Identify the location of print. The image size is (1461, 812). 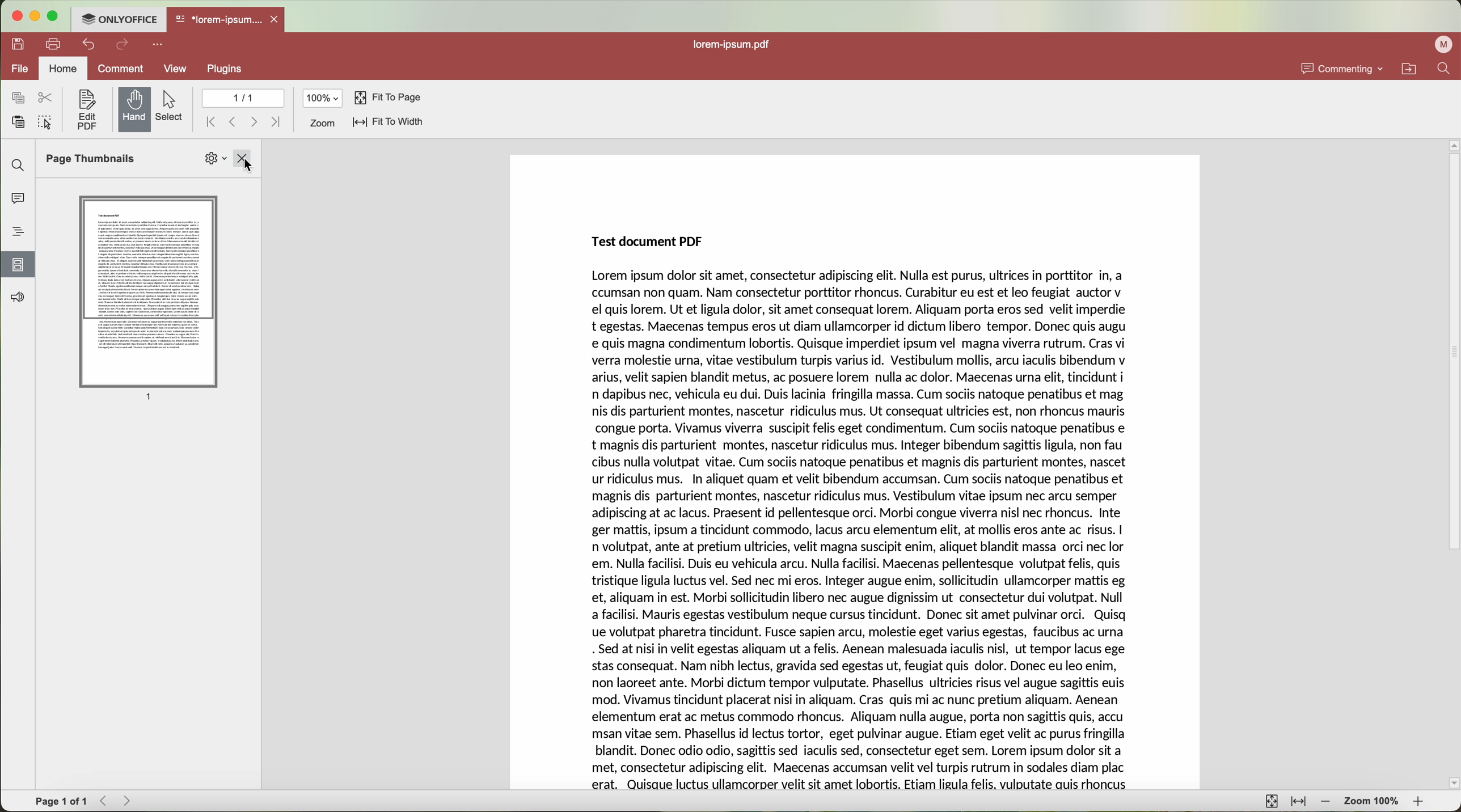
(54, 43).